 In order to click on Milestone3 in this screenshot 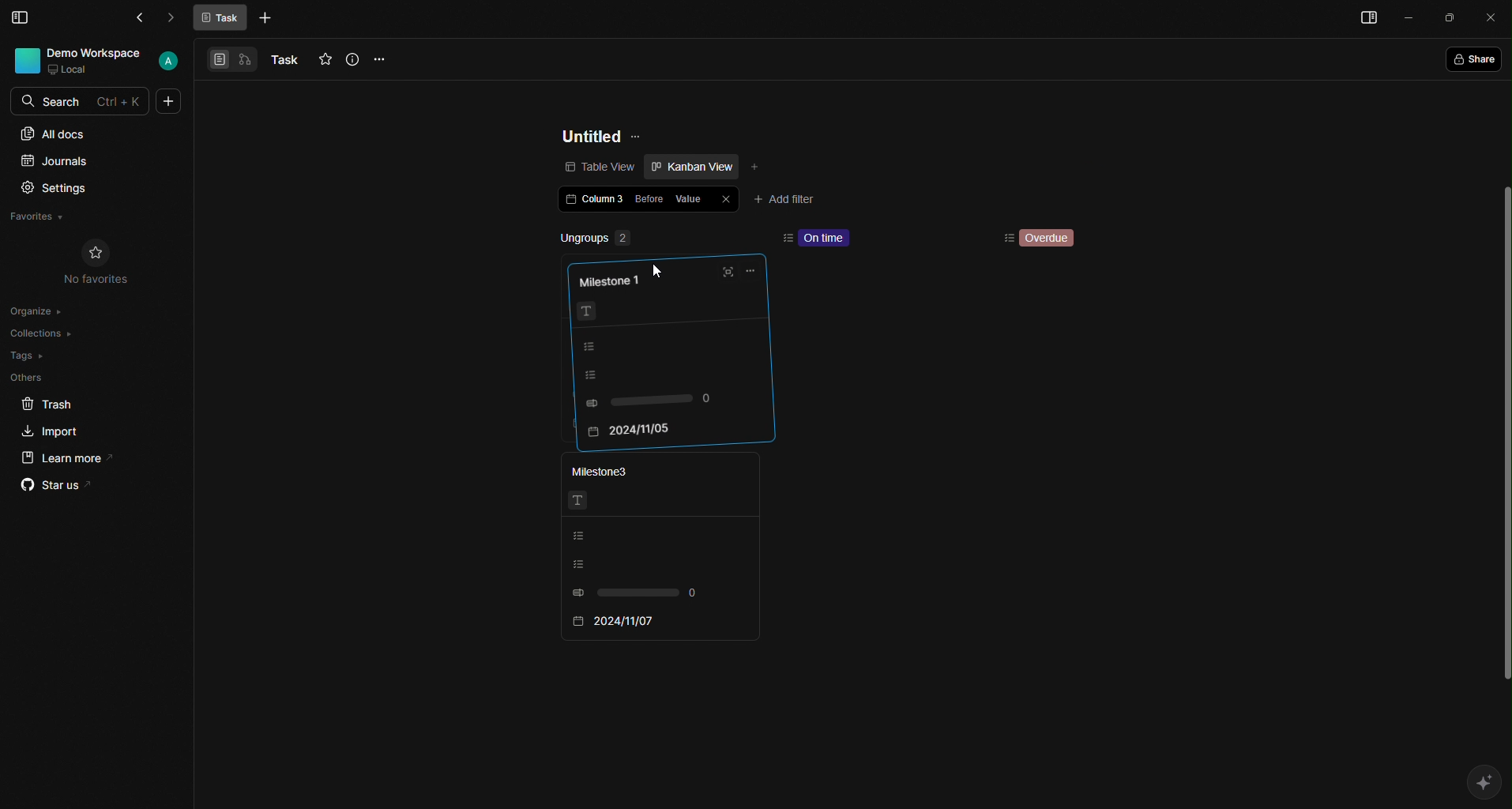, I will do `click(601, 468)`.